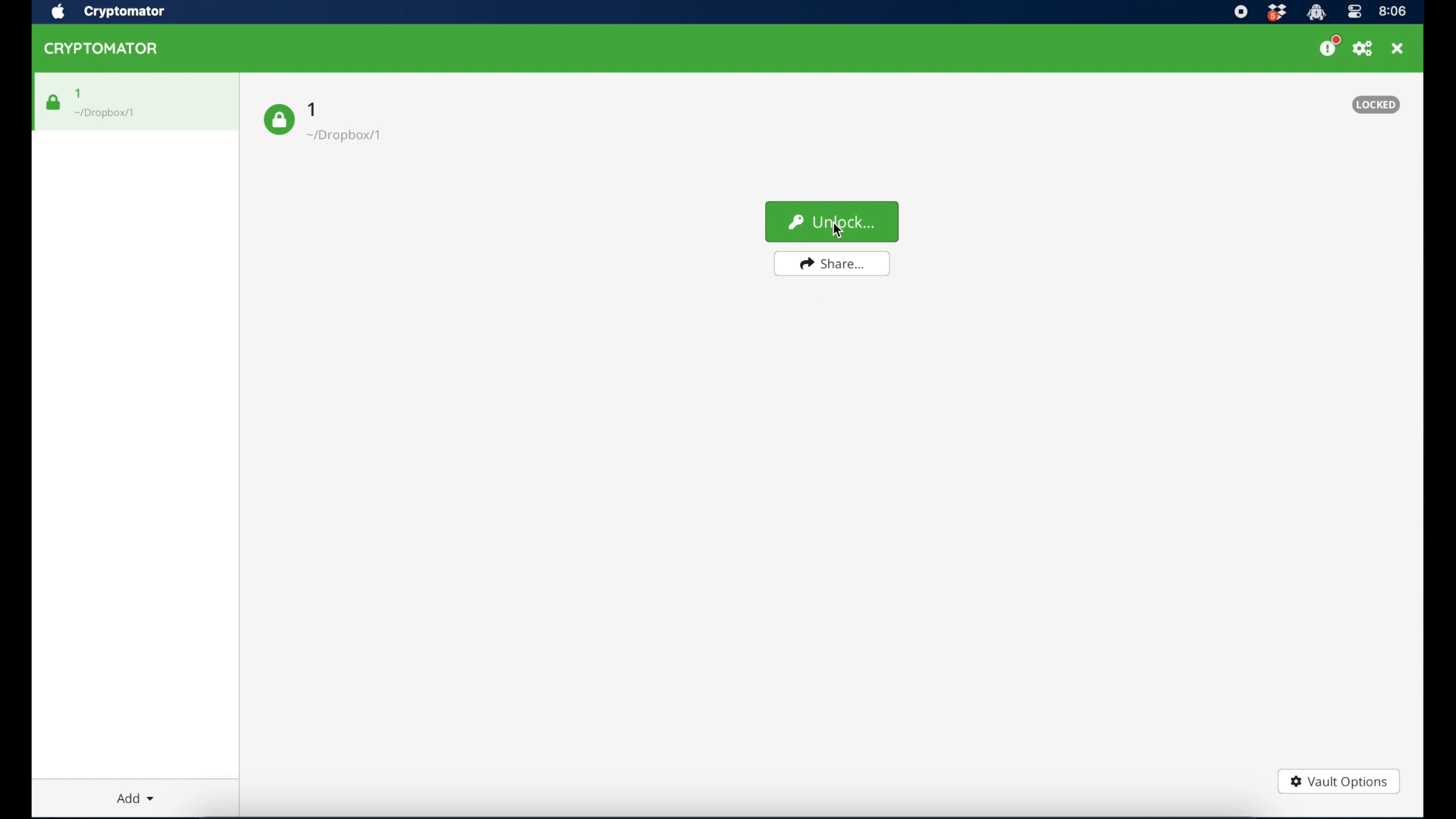 This screenshot has width=1456, height=819. Describe the element at coordinates (1398, 49) in the screenshot. I see `close` at that location.